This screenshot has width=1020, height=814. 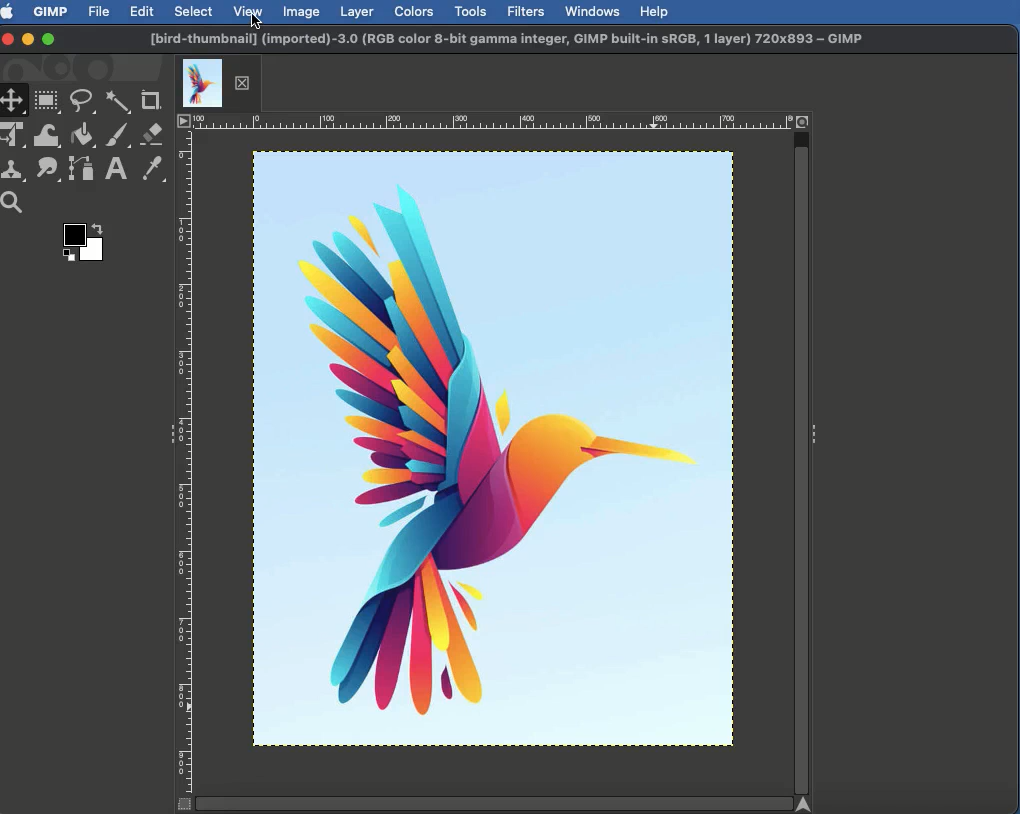 What do you see at coordinates (151, 101) in the screenshot?
I see `Crop` at bounding box center [151, 101].